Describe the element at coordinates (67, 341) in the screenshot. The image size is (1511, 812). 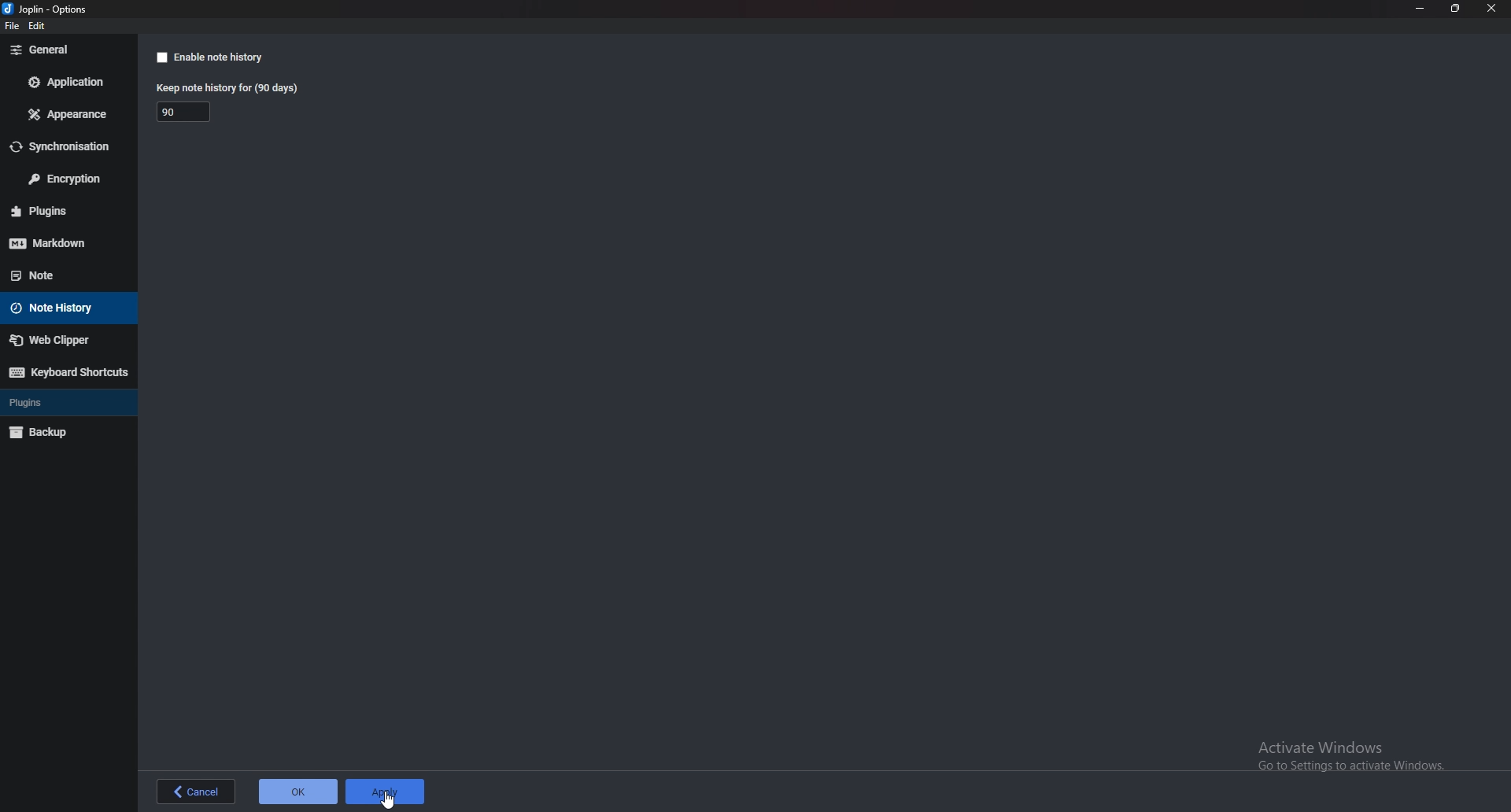
I see `Web Clipper` at that location.